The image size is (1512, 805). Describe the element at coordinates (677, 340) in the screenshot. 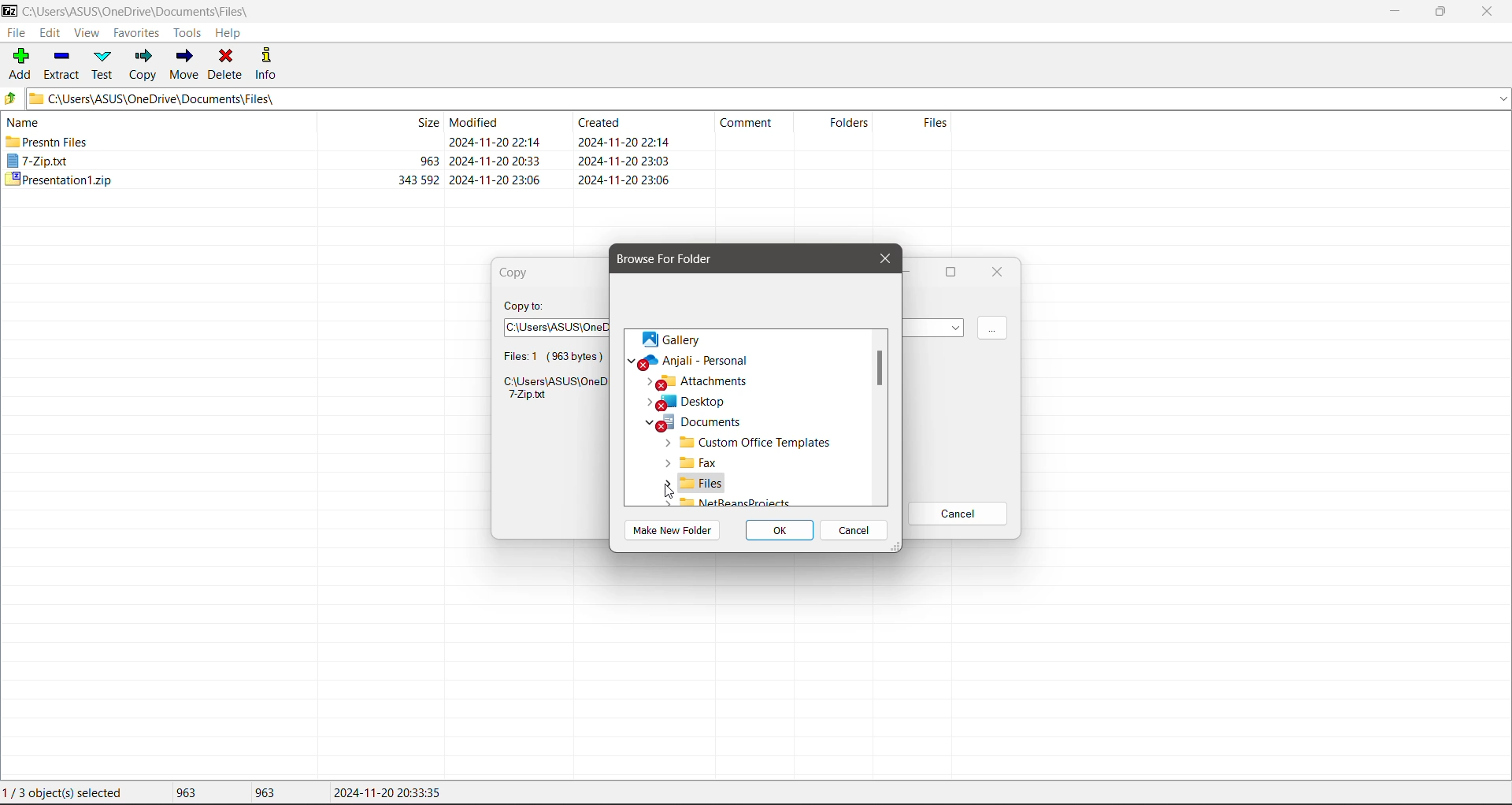

I see `Gallery` at that location.